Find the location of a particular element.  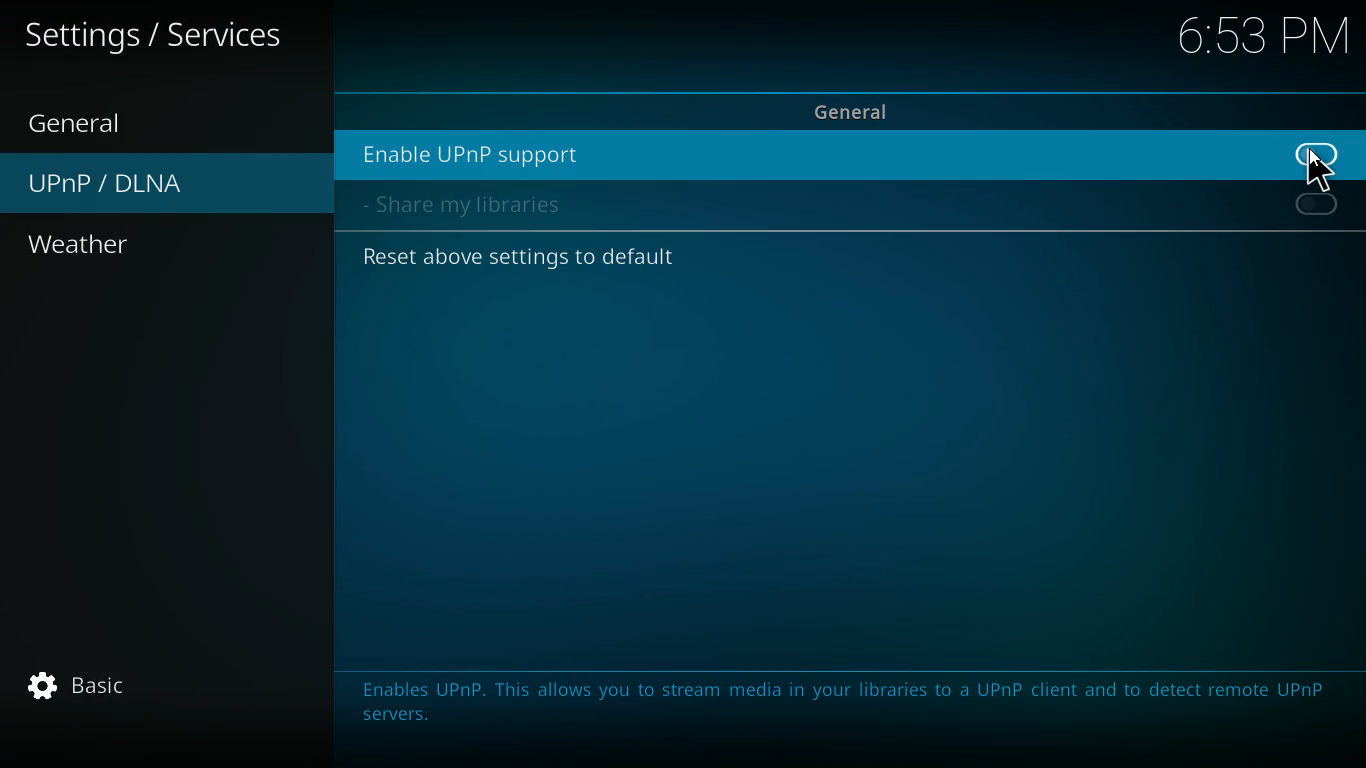

general is located at coordinates (87, 118).